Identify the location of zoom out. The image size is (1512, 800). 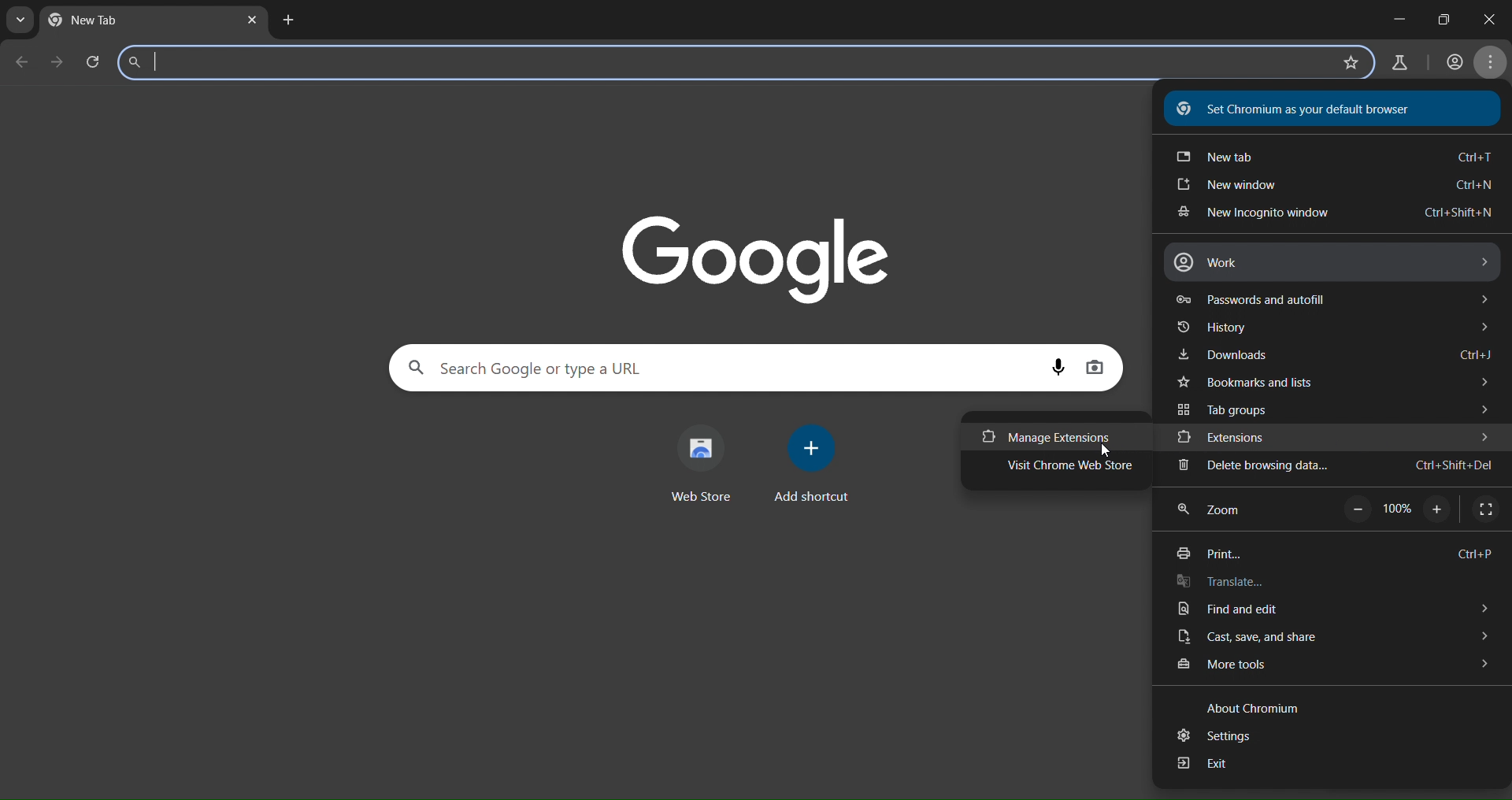
(1357, 507).